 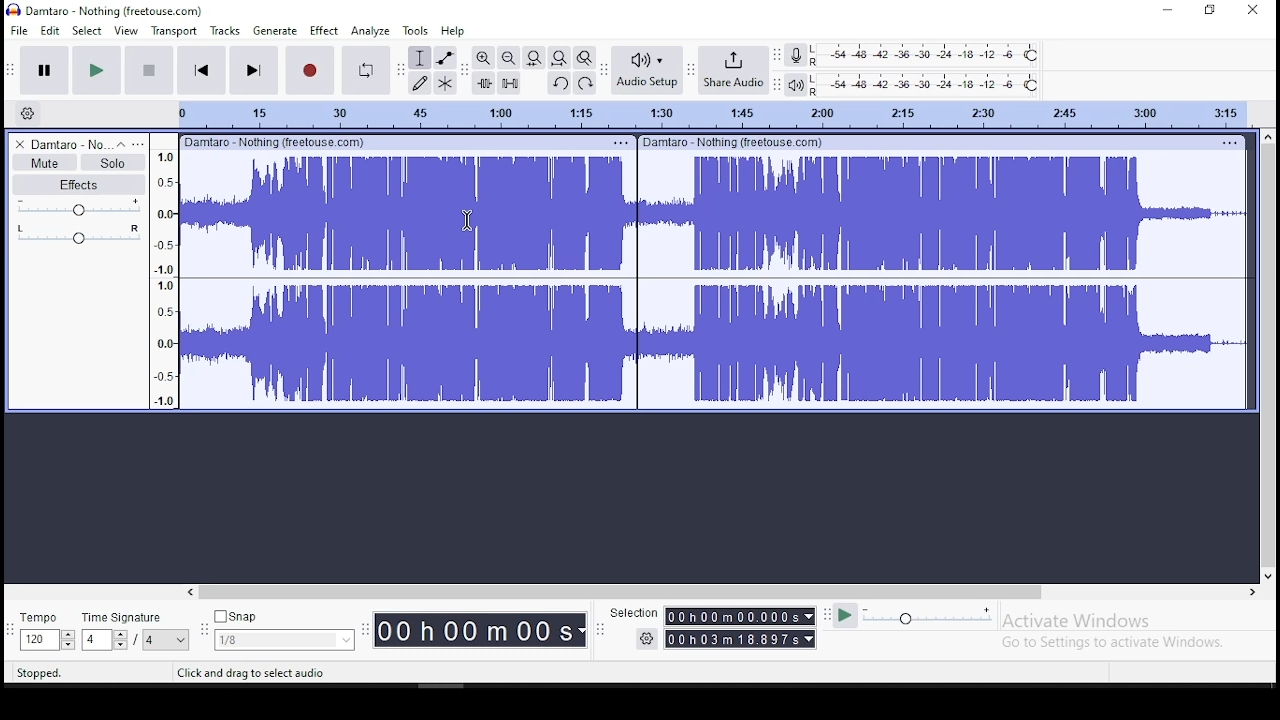 What do you see at coordinates (445, 83) in the screenshot?
I see `multi tool` at bounding box center [445, 83].